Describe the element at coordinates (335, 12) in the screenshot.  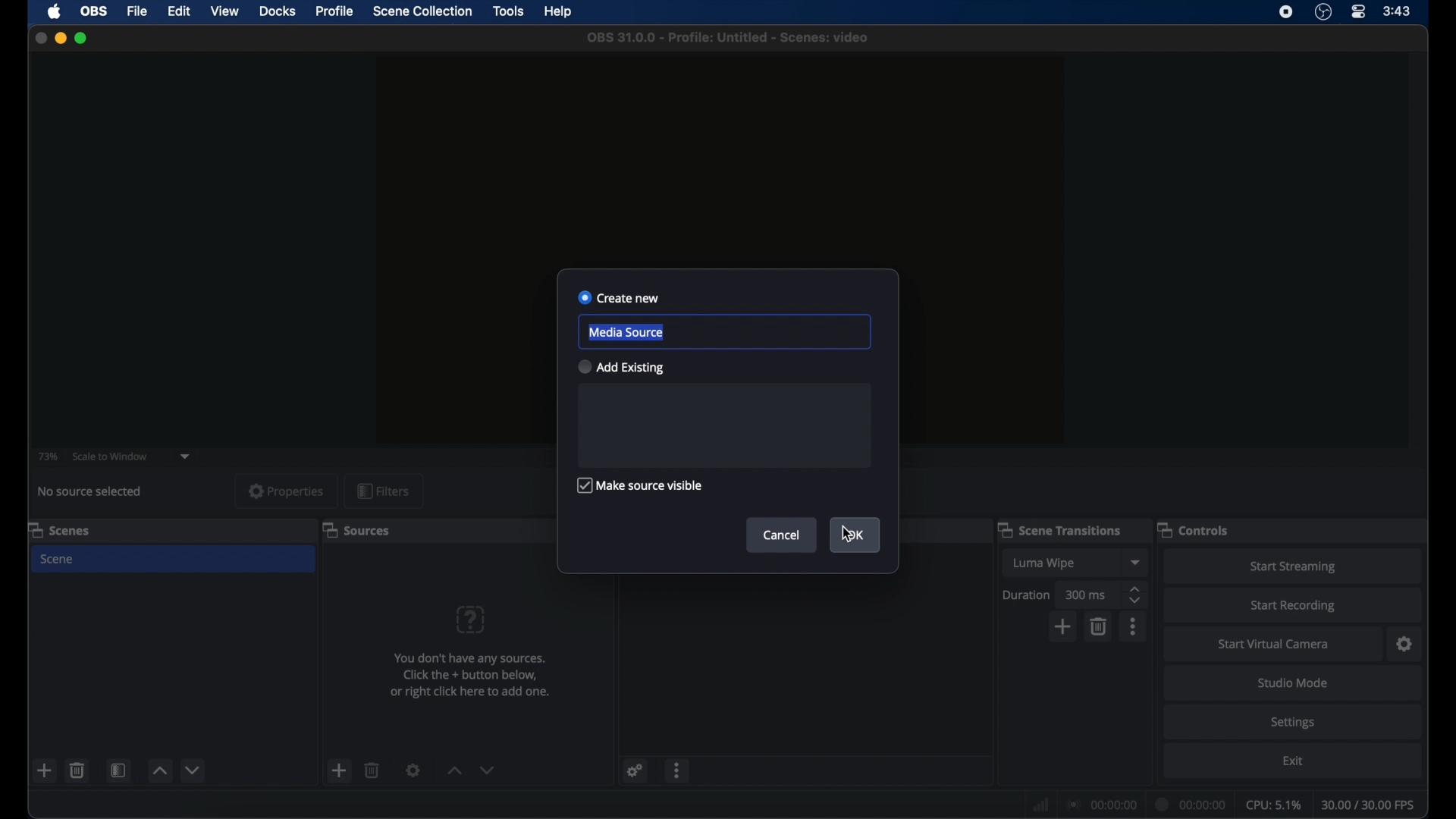
I see `profile` at that location.